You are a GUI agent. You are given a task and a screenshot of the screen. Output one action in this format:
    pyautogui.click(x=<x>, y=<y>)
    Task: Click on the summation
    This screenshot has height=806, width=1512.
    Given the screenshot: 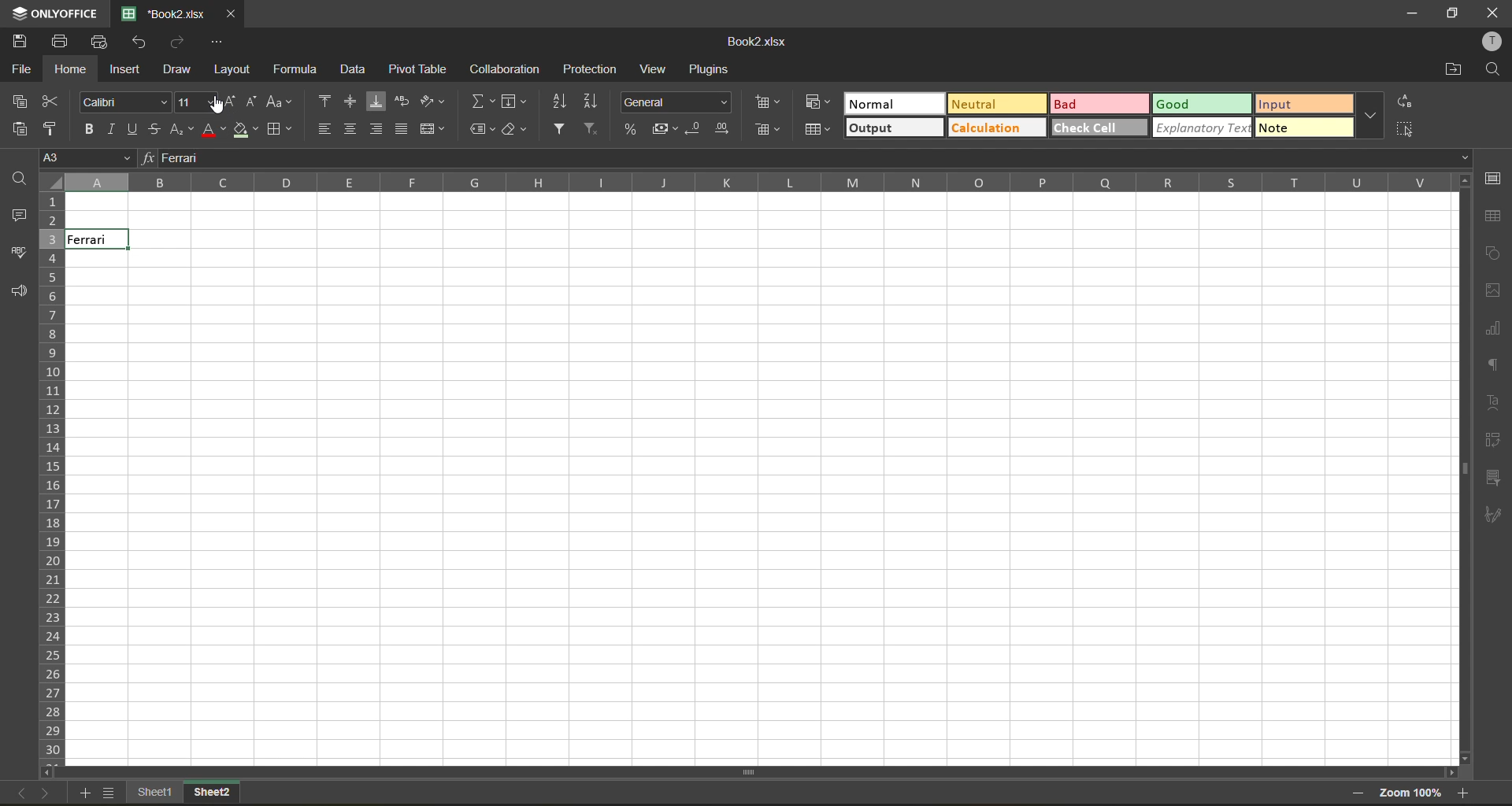 What is the action you would take?
    pyautogui.click(x=481, y=100)
    